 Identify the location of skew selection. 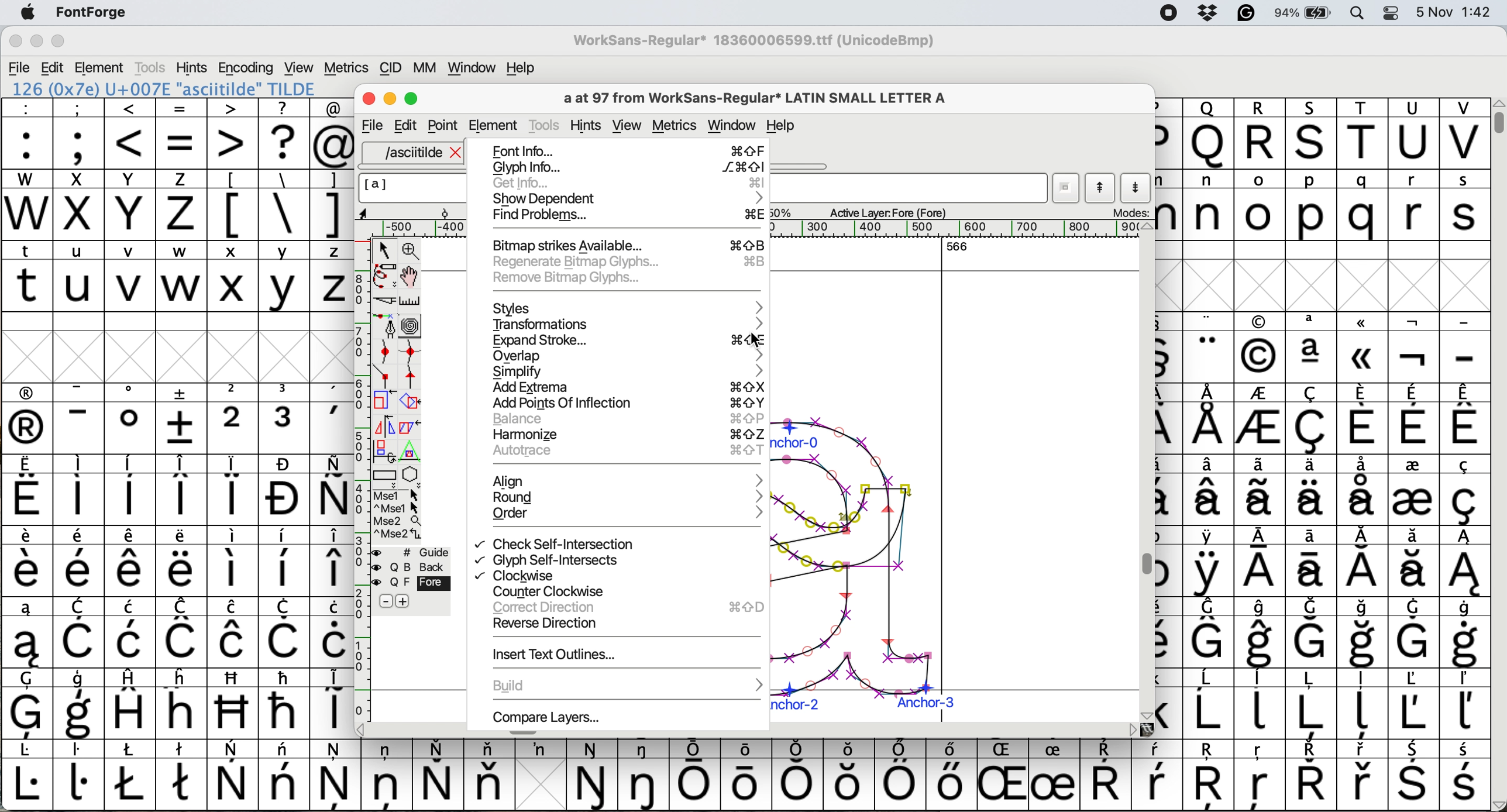
(413, 429).